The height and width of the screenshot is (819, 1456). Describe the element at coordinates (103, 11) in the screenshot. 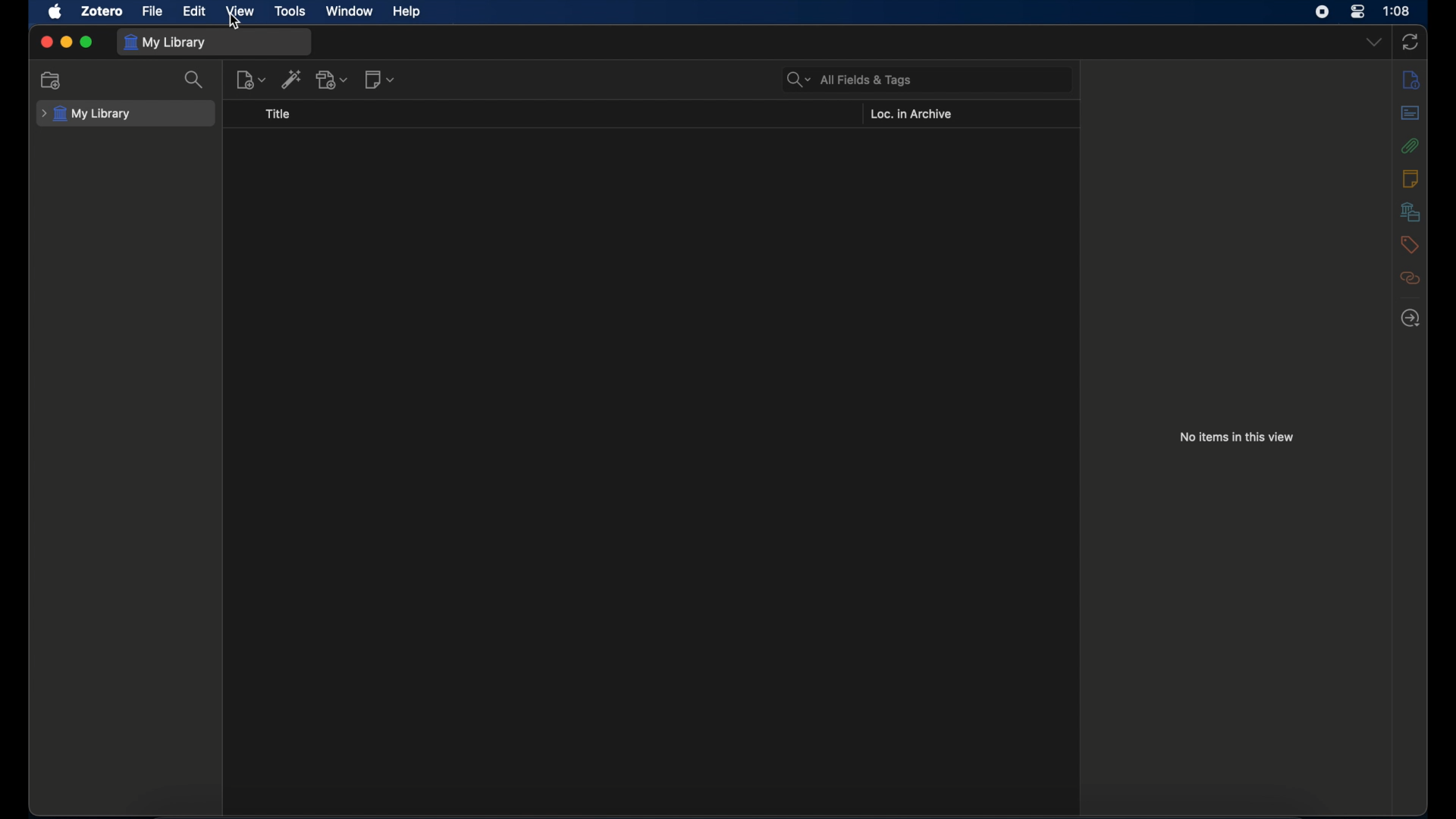

I see `zotero` at that location.